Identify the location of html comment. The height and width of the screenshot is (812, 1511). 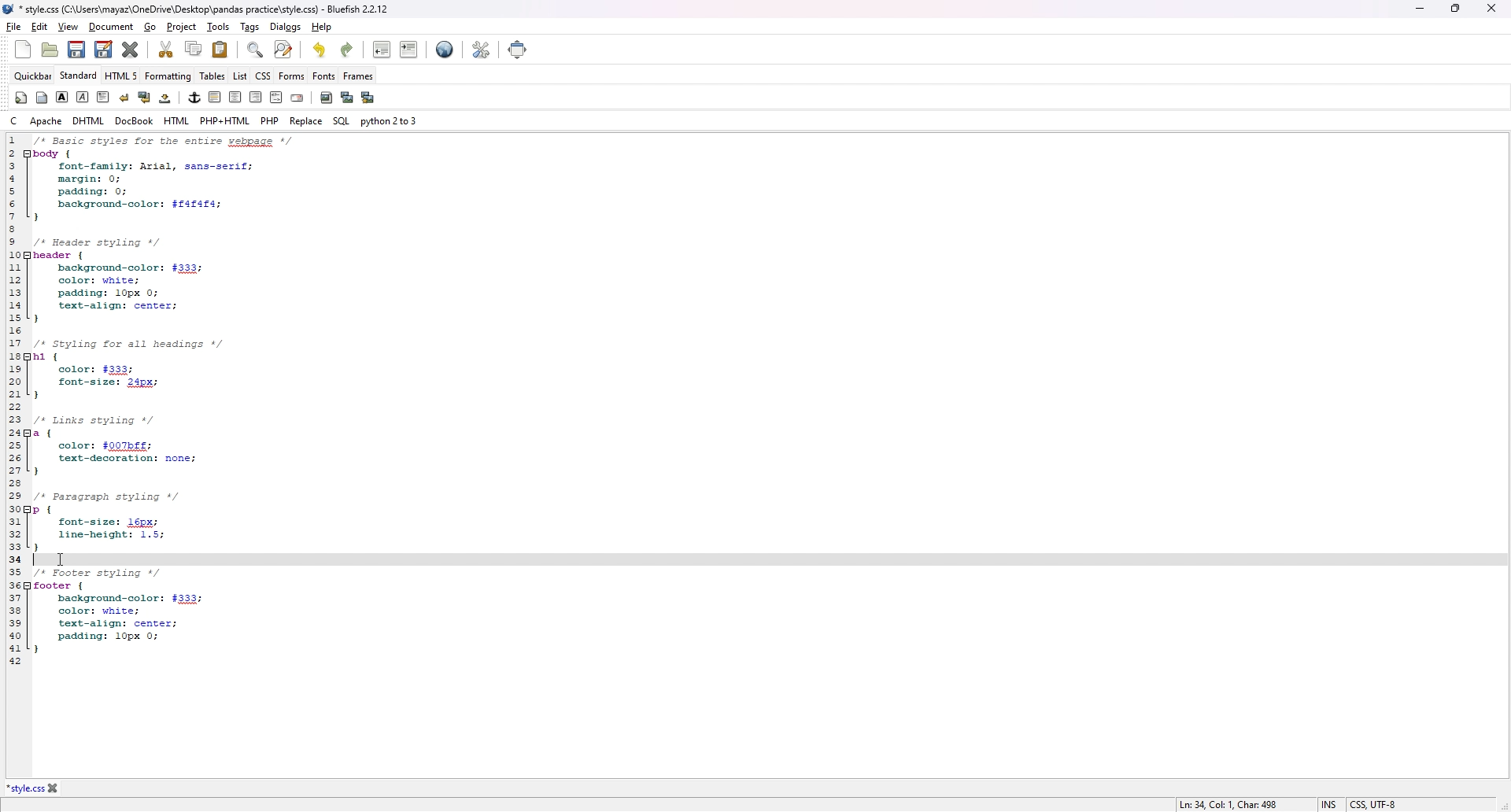
(276, 98).